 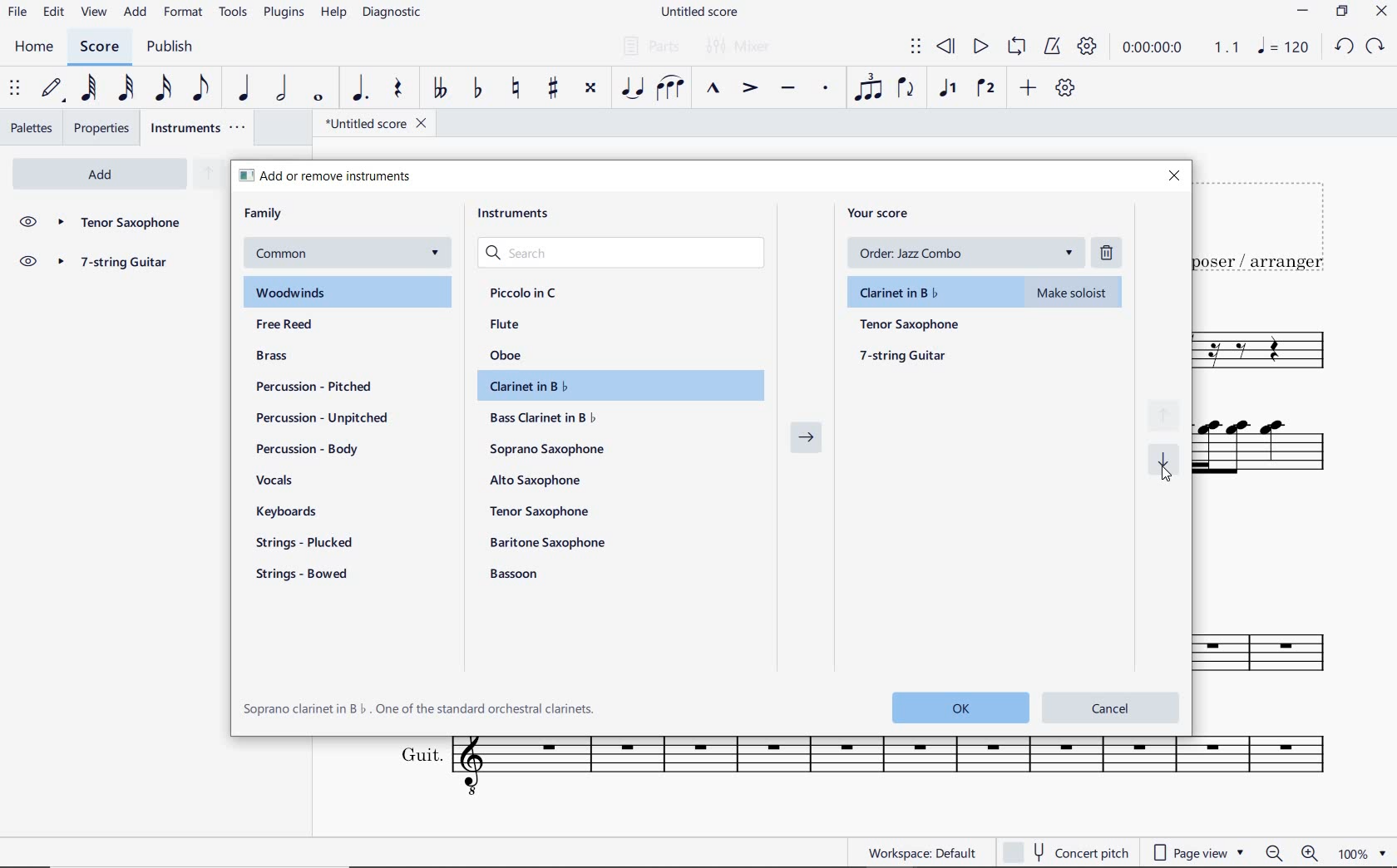 I want to click on clarinet in B selected, so click(x=988, y=289).